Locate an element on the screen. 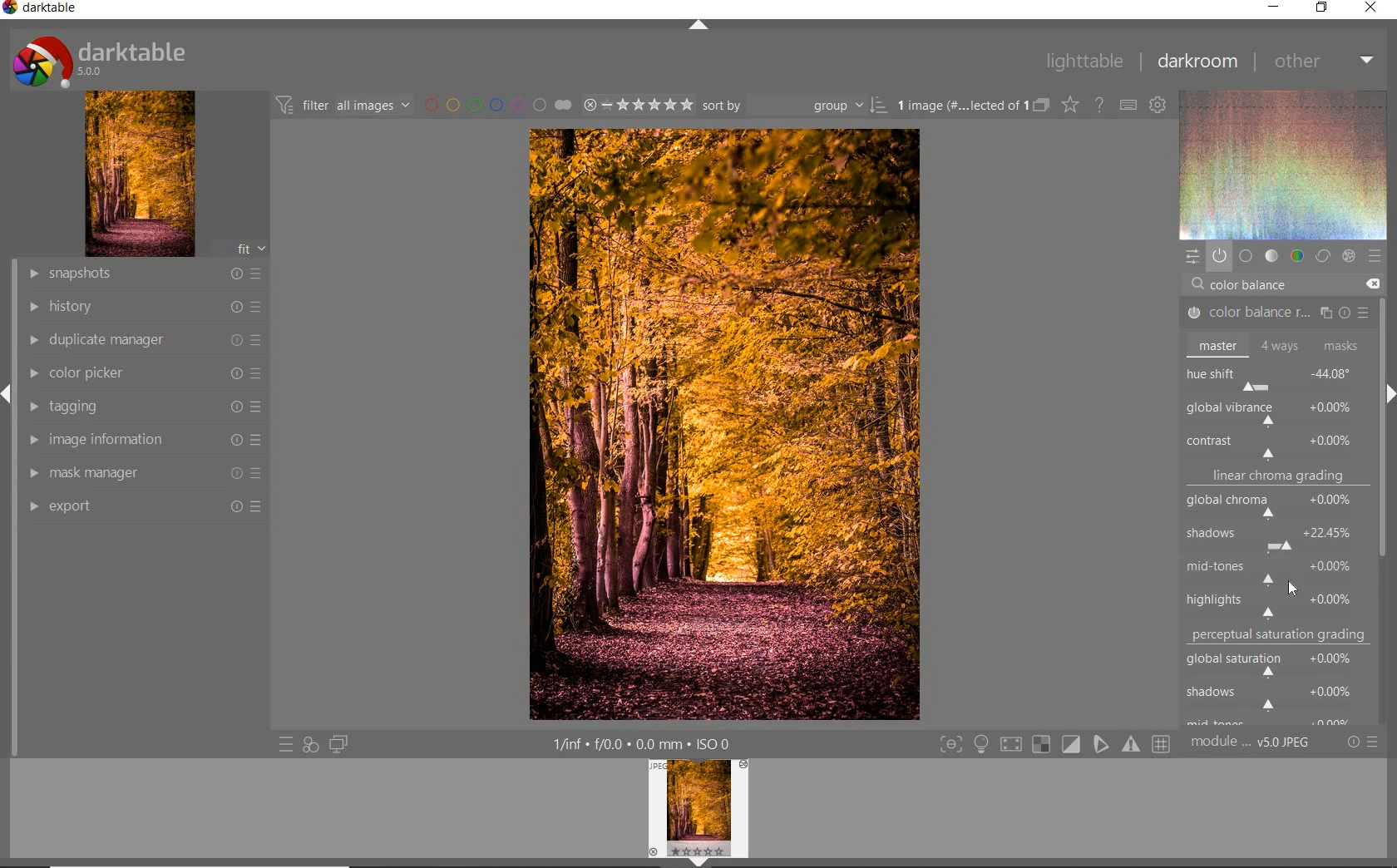 The image size is (1397, 868). filter by image color label is located at coordinates (496, 105).